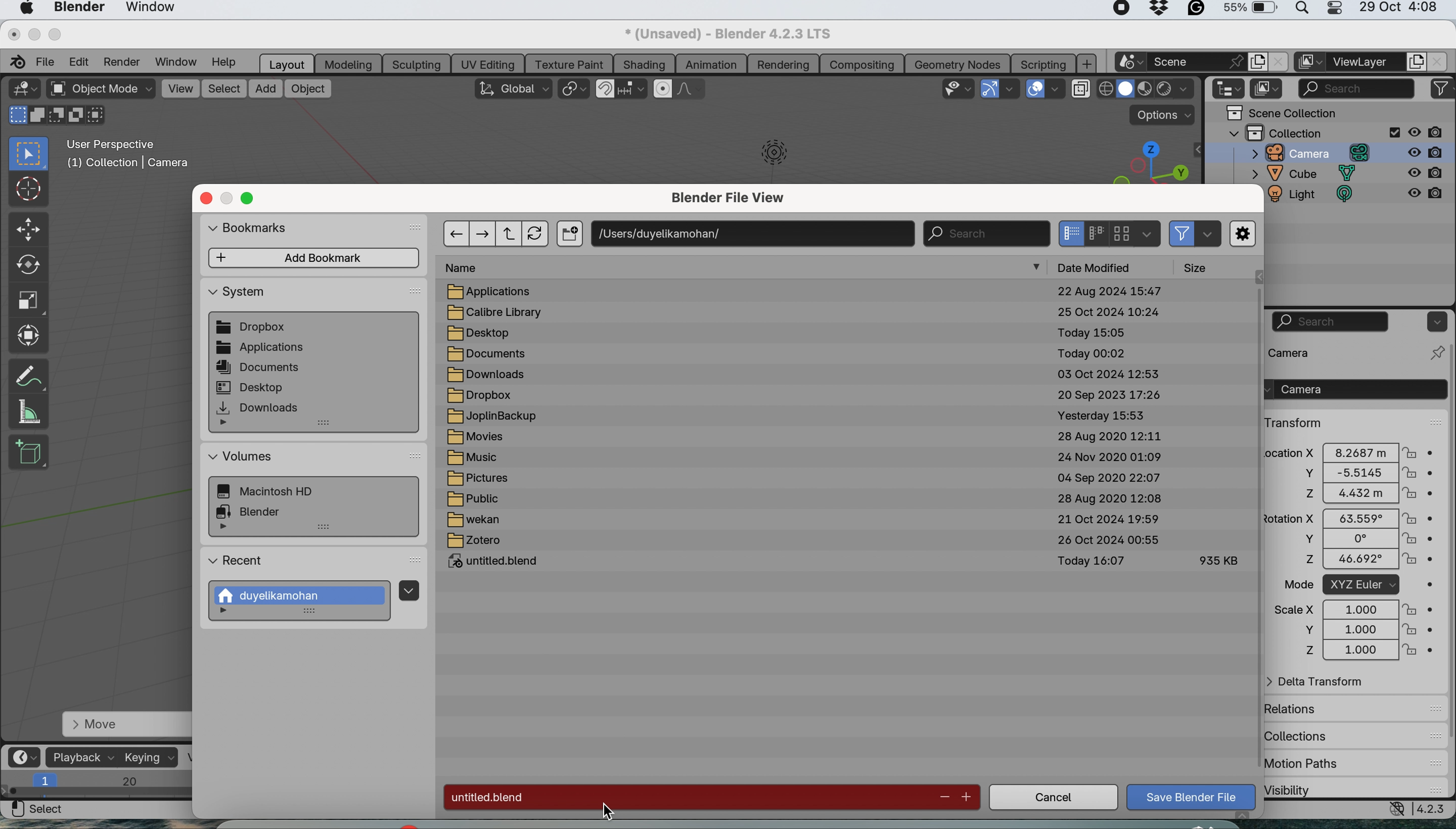 The height and width of the screenshot is (829, 1456). What do you see at coordinates (79, 61) in the screenshot?
I see `edit` at bounding box center [79, 61].